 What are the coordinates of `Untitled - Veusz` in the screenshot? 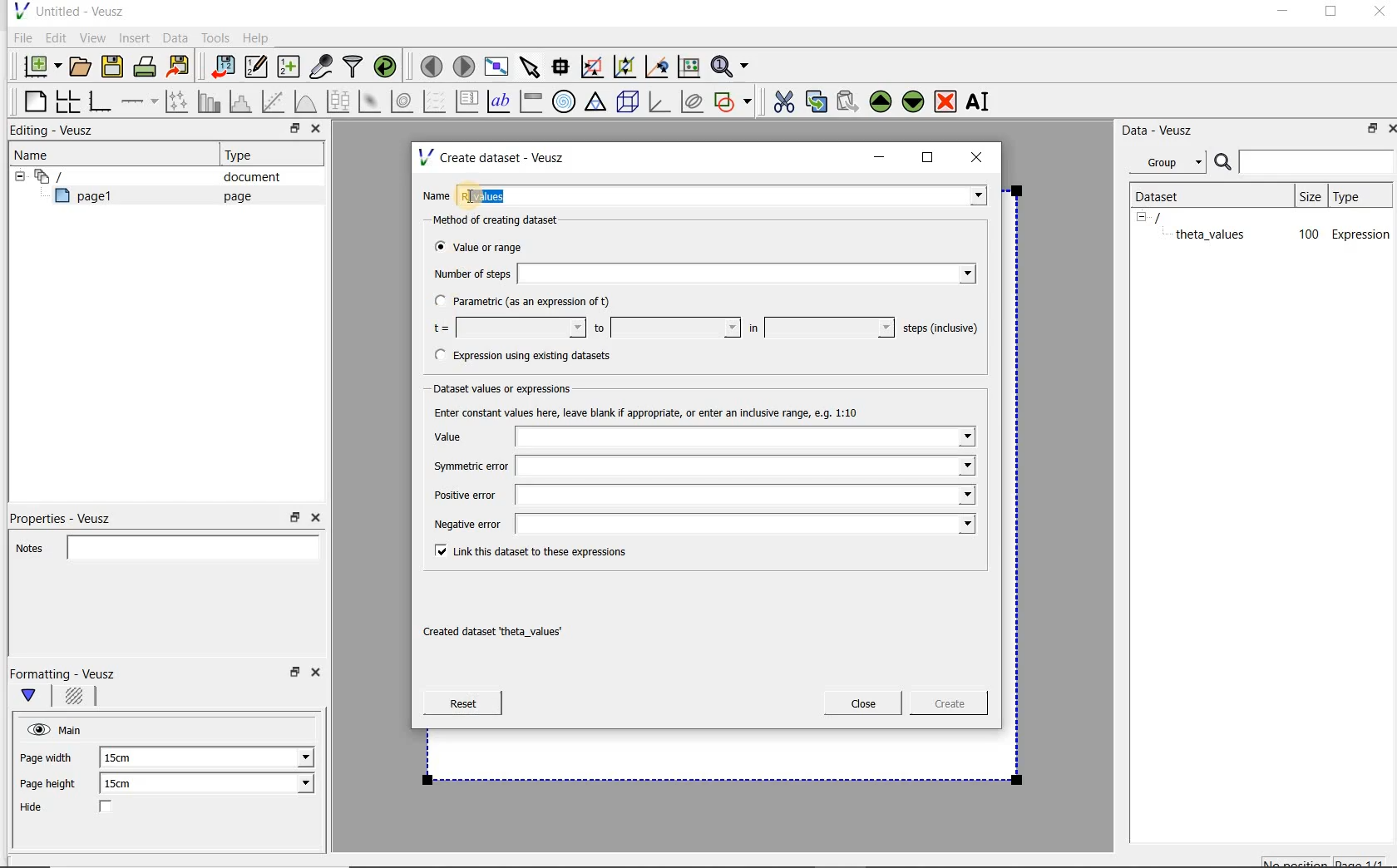 It's located at (67, 10).